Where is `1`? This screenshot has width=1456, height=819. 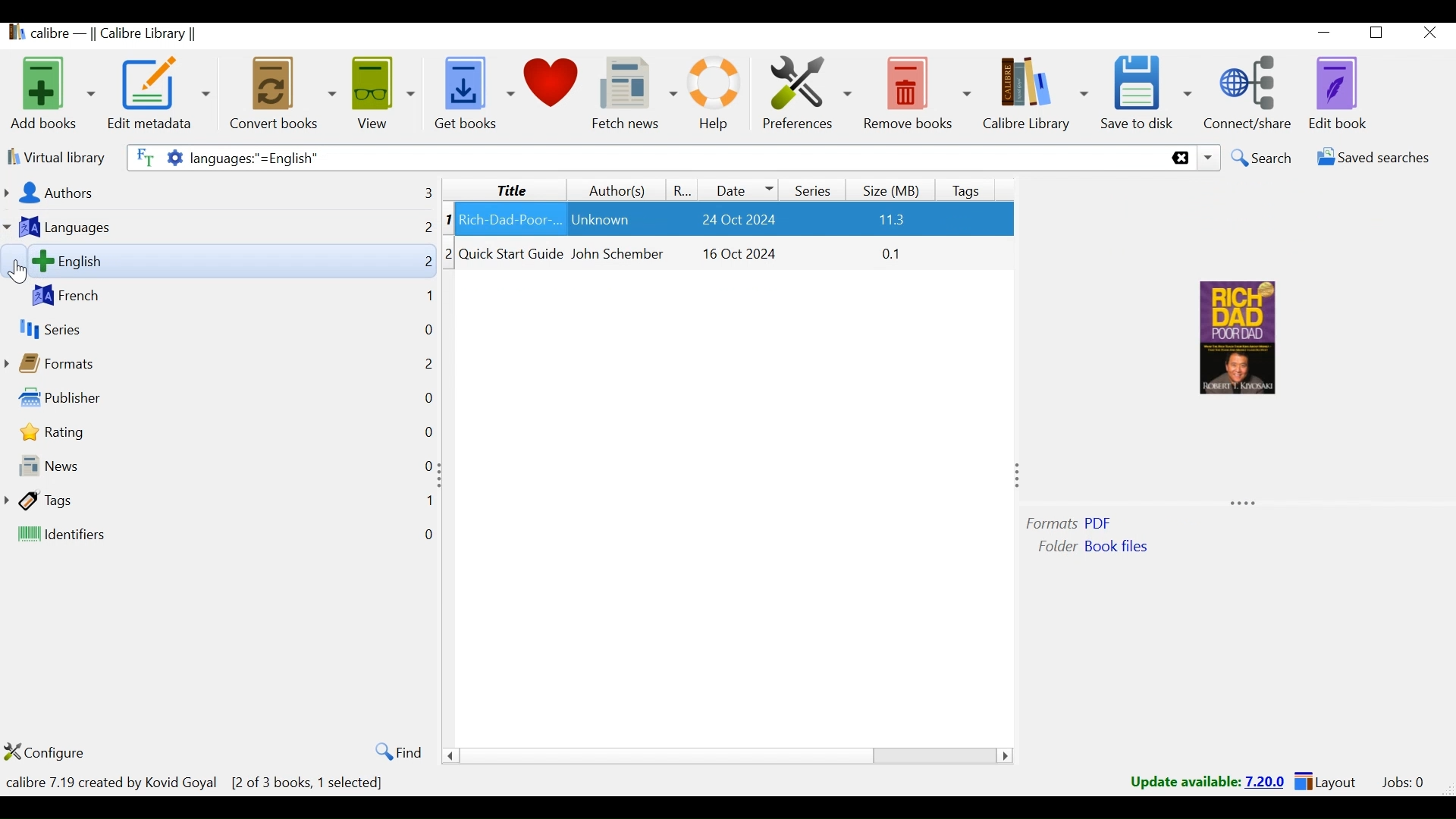 1 is located at coordinates (426, 298).